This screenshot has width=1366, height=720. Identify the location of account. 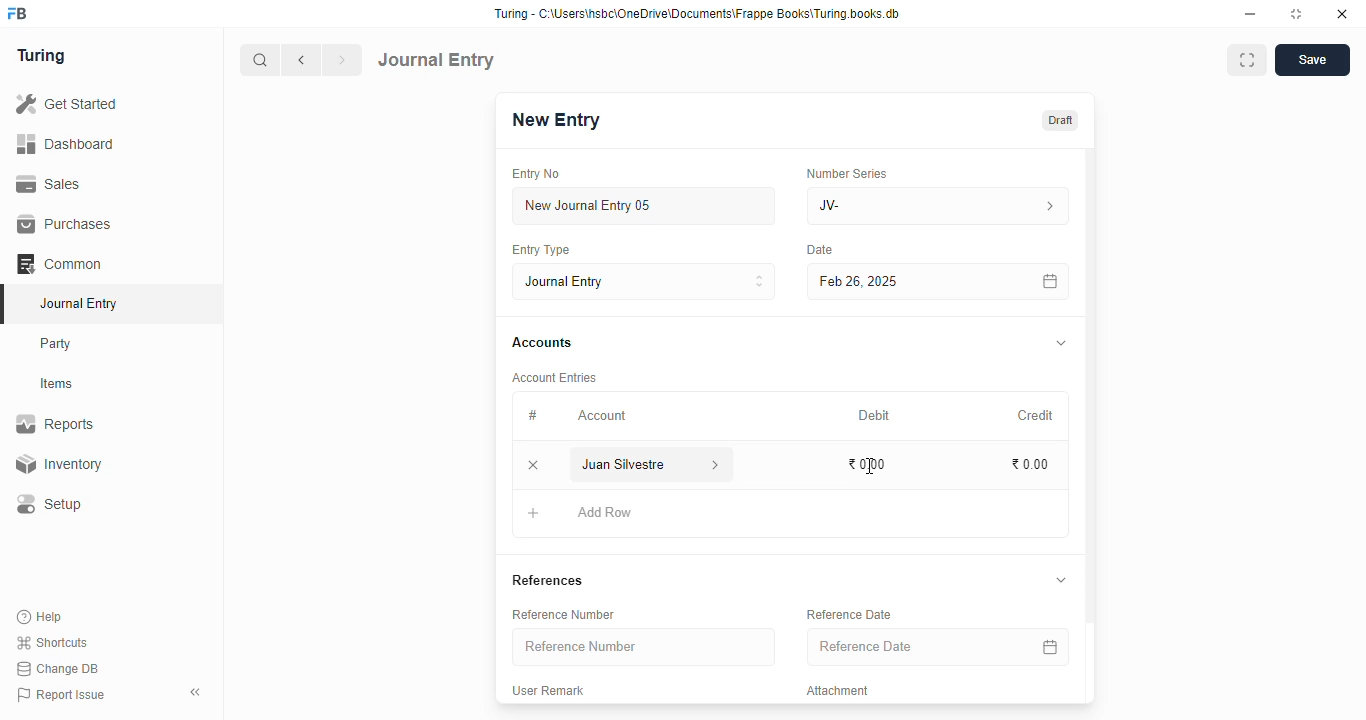
(602, 415).